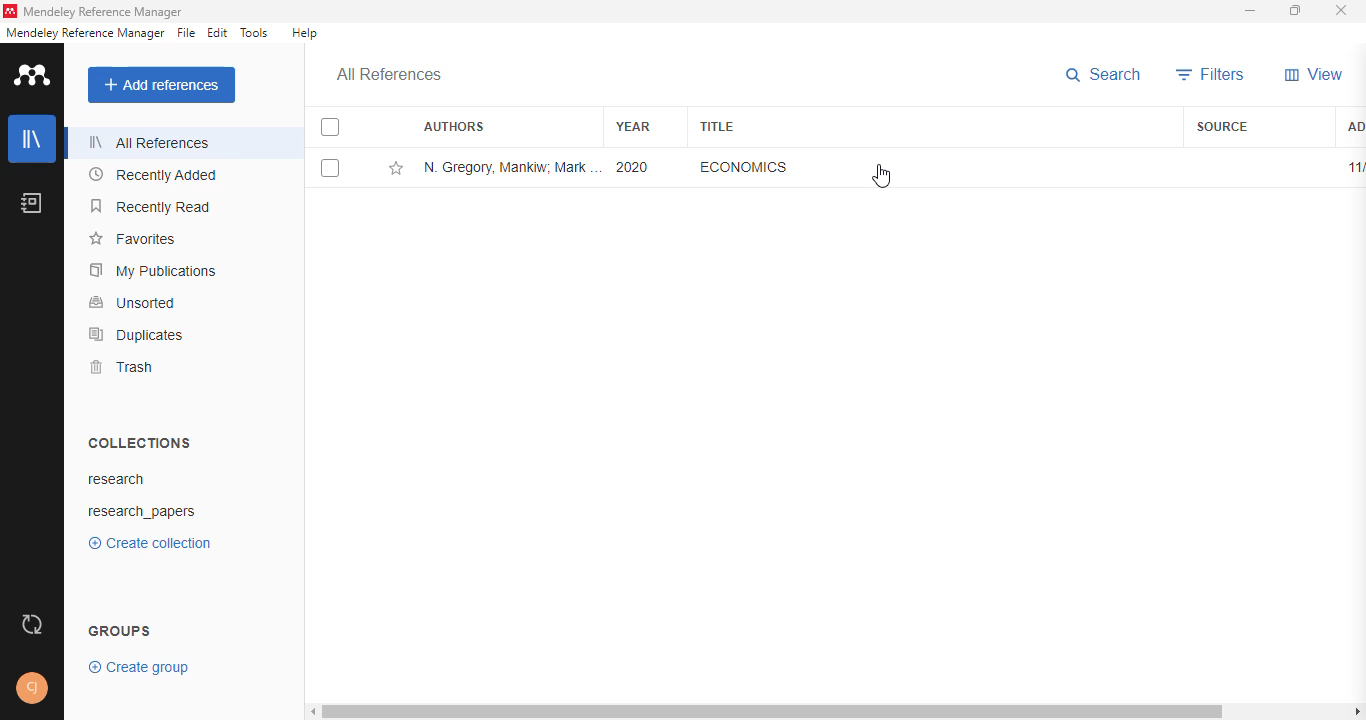  Describe the element at coordinates (716, 127) in the screenshot. I see `title` at that location.